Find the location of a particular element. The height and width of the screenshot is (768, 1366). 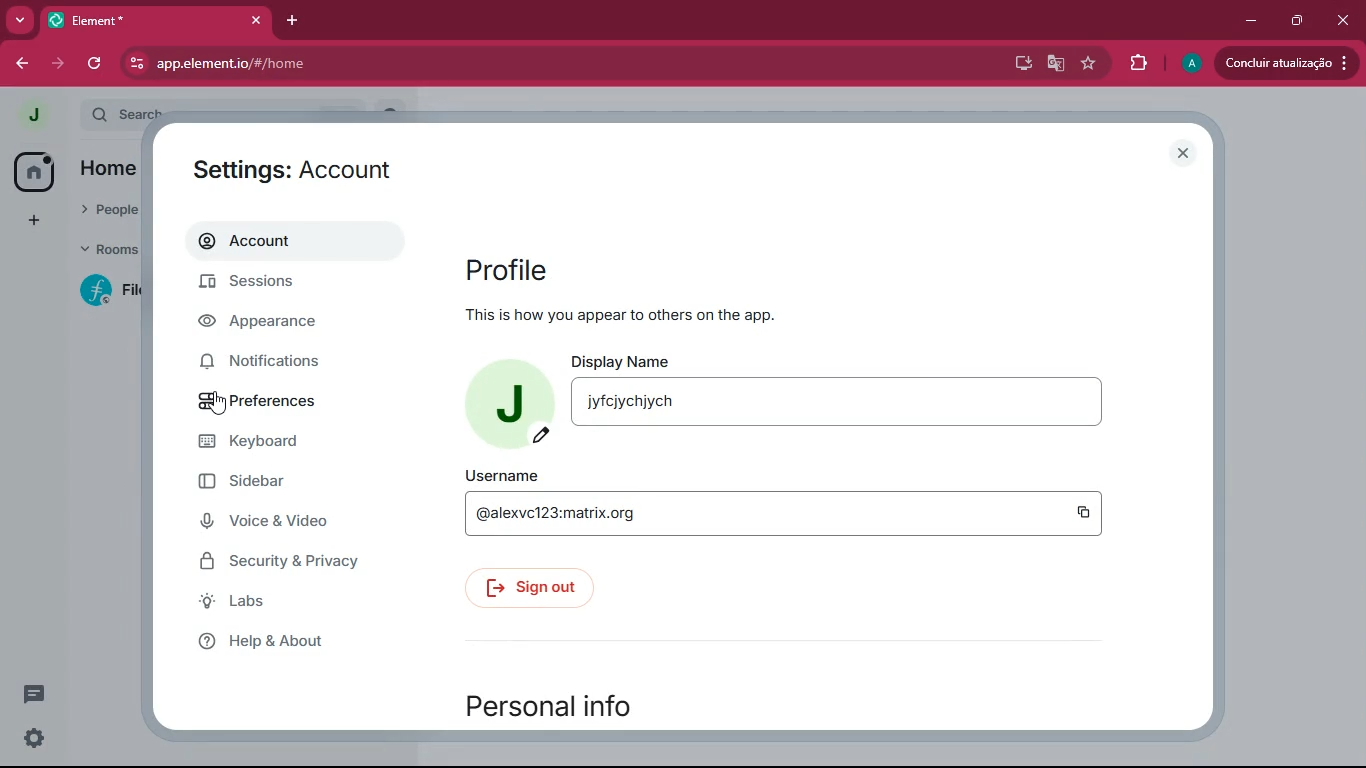

username is located at coordinates (508, 476).